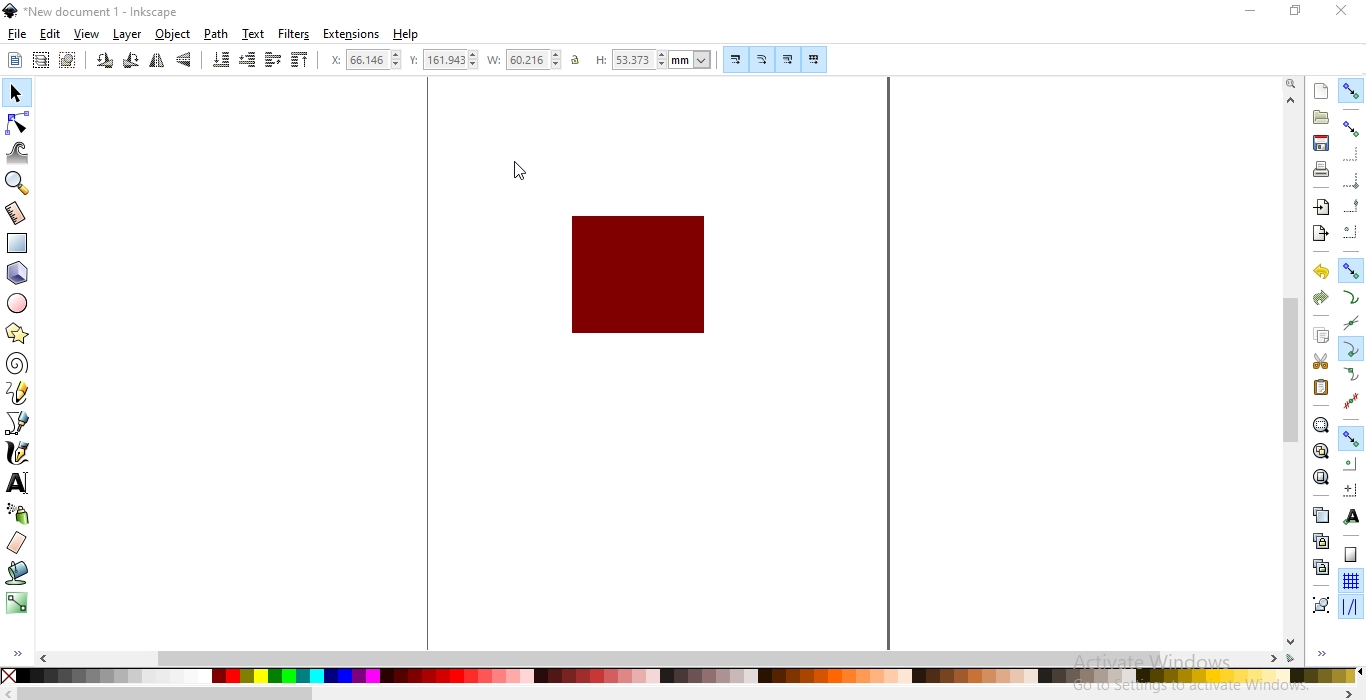 This screenshot has width=1366, height=700. What do you see at coordinates (166, 693) in the screenshot?
I see `` at bounding box center [166, 693].